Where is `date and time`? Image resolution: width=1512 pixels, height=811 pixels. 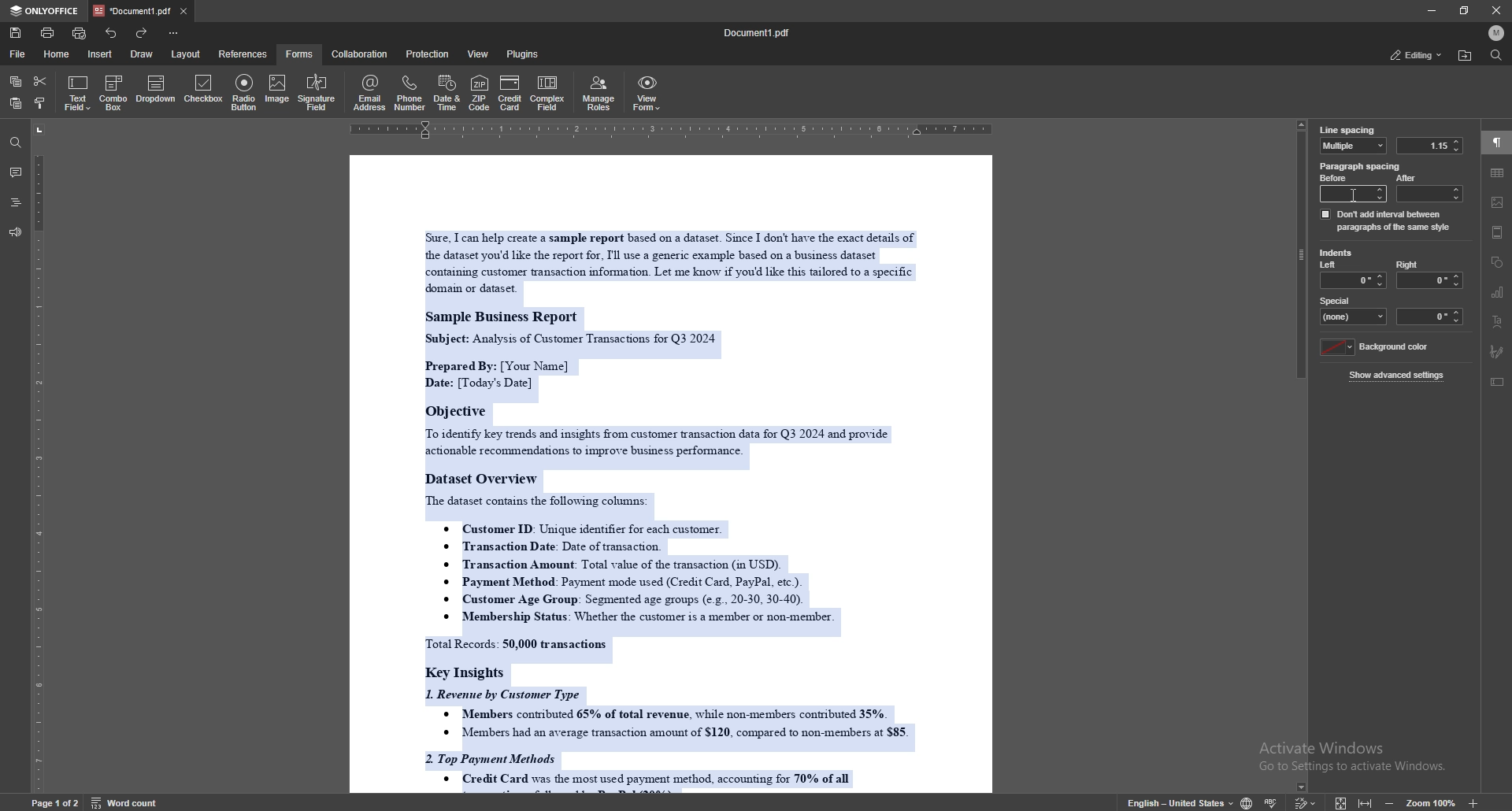
date and time is located at coordinates (447, 93).